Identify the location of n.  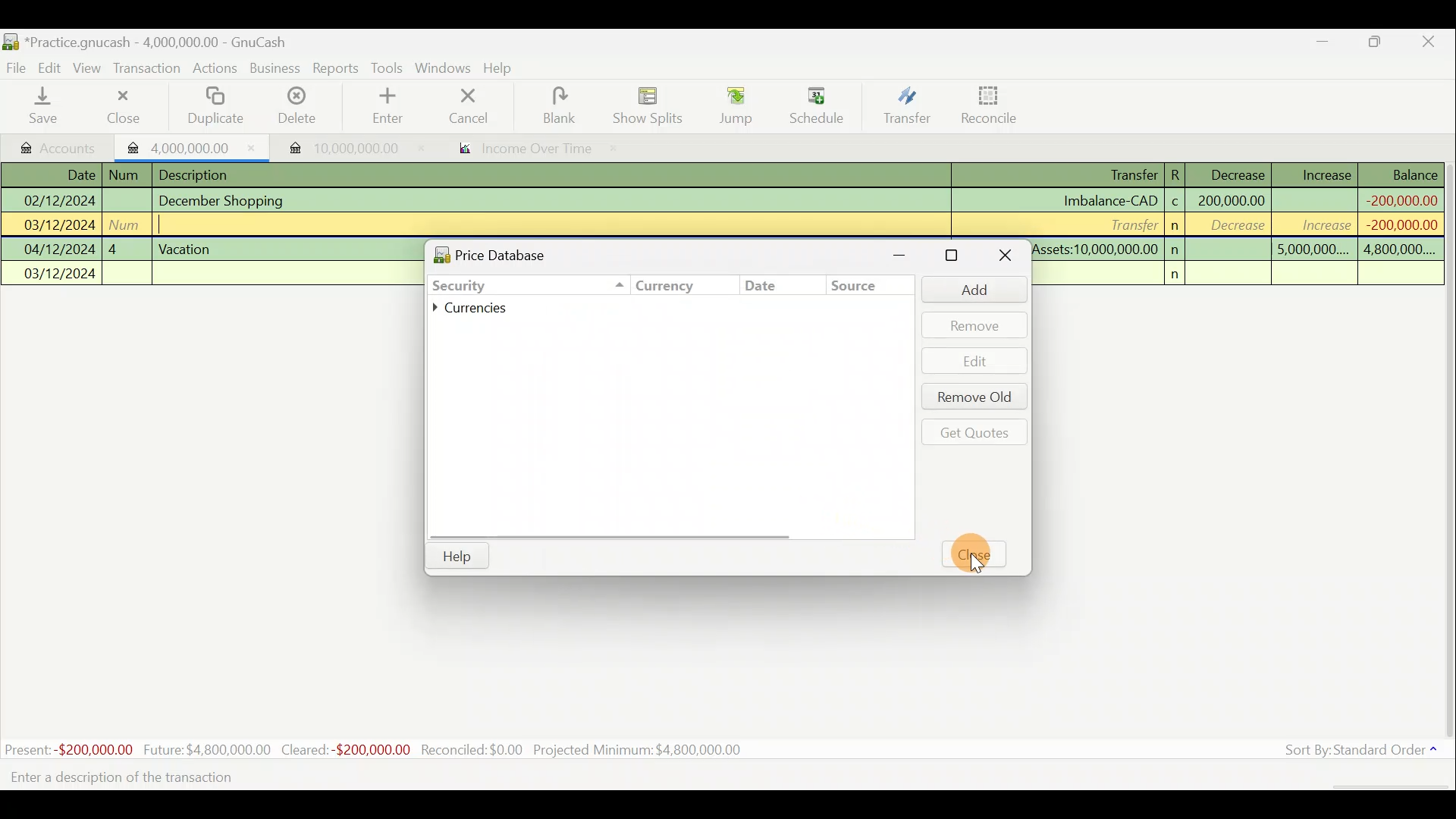
(1177, 226).